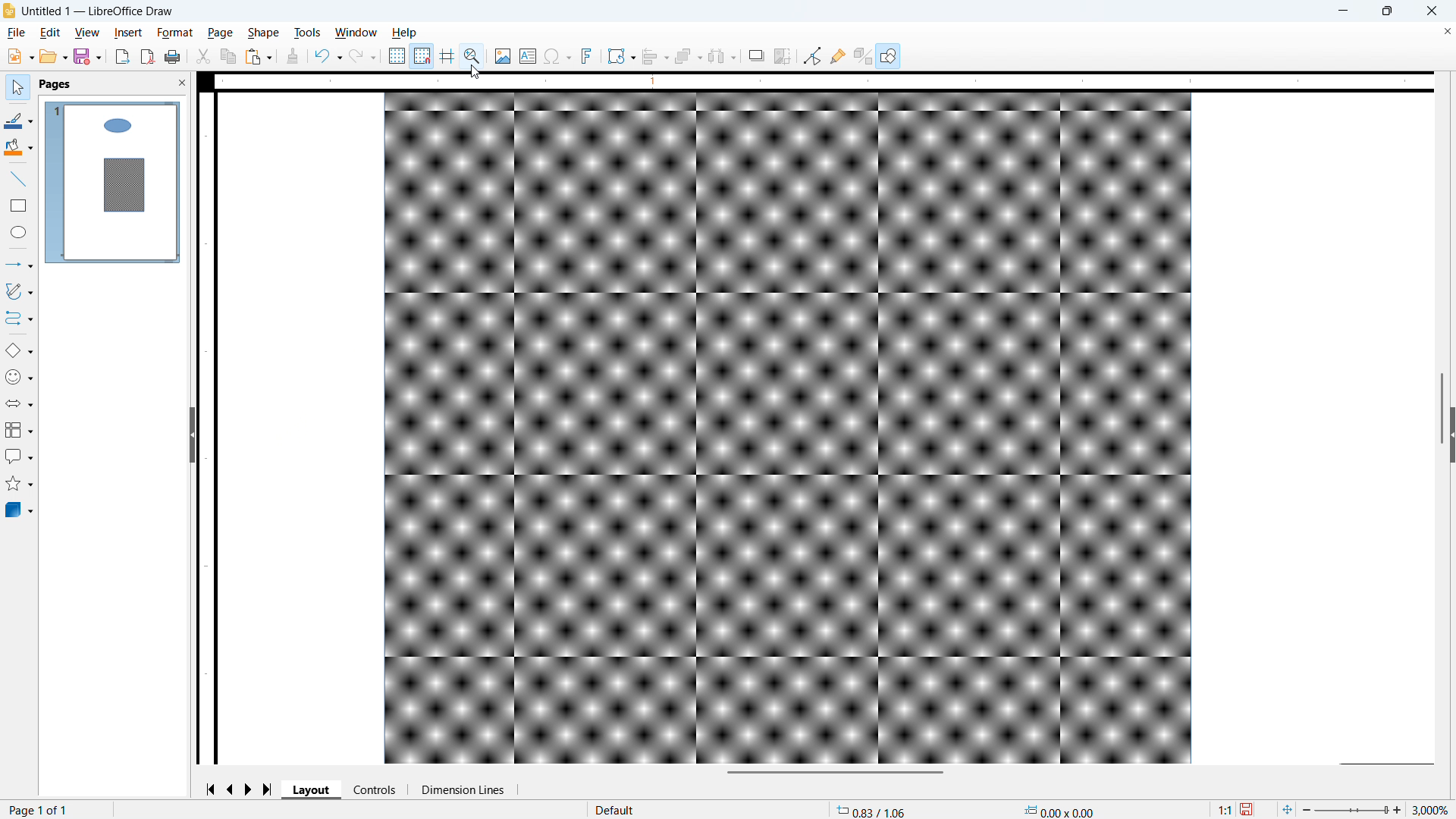 This screenshot has height=819, width=1456. What do you see at coordinates (213, 789) in the screenshot?
I see `Go to first page ` at bounding box center [213, 789].